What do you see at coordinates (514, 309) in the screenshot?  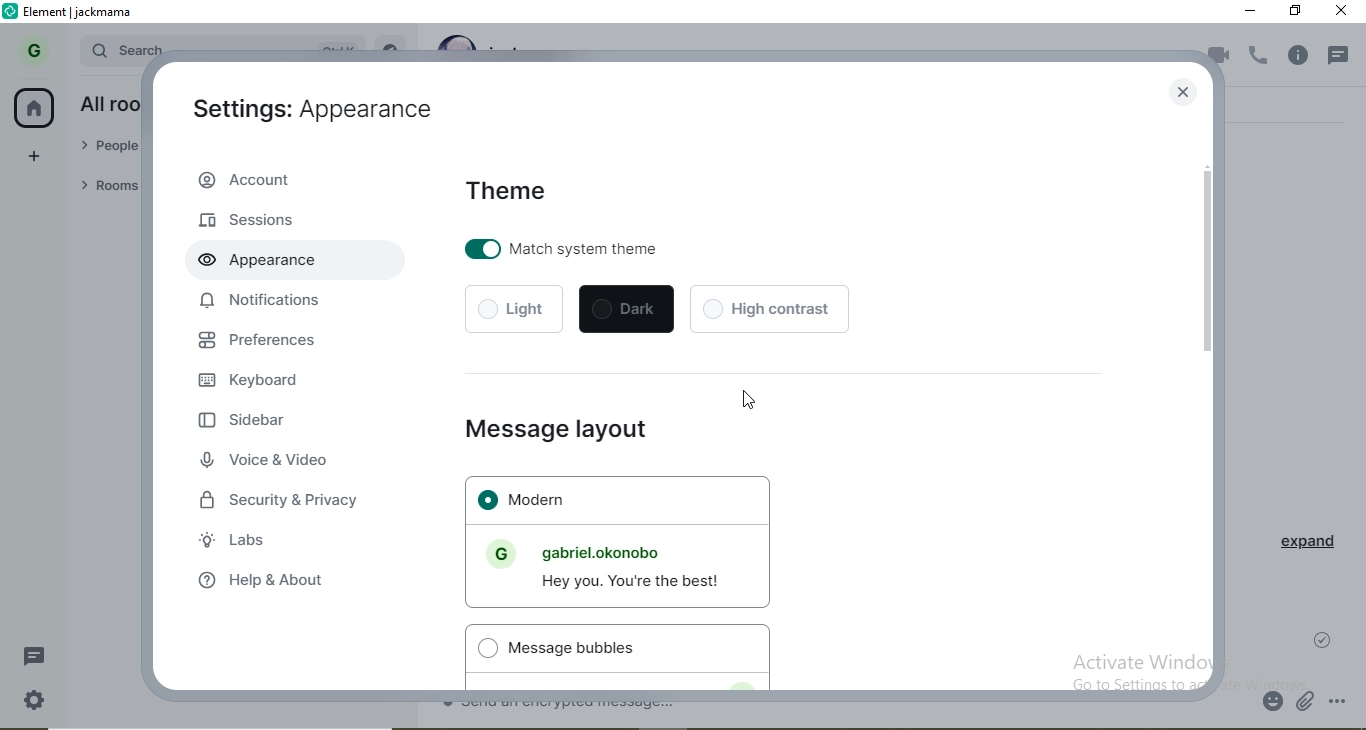 I see `light` at bounding box center [514, 309].